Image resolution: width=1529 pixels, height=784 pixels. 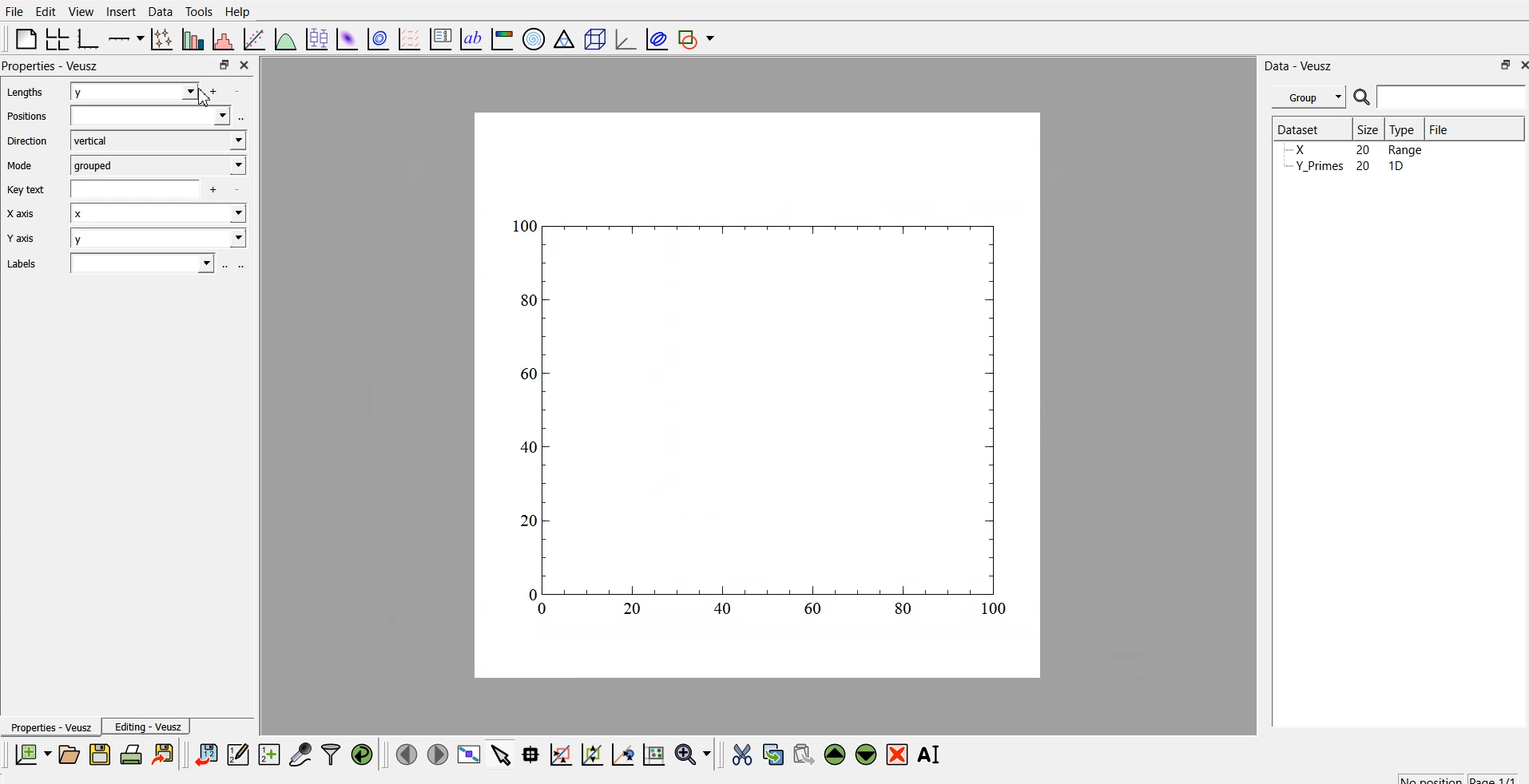 I want to click on open a document, so click(x=68, y=754).